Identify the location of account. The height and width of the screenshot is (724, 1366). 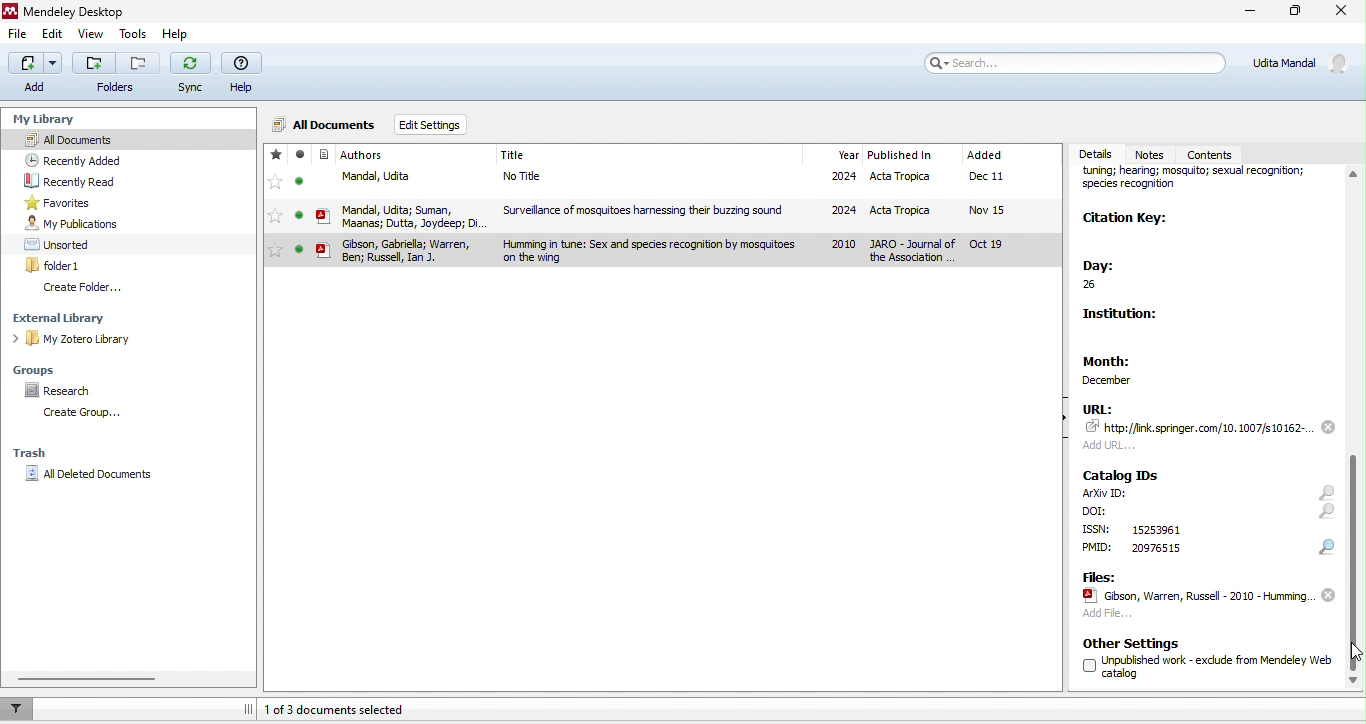
(1302, 62).